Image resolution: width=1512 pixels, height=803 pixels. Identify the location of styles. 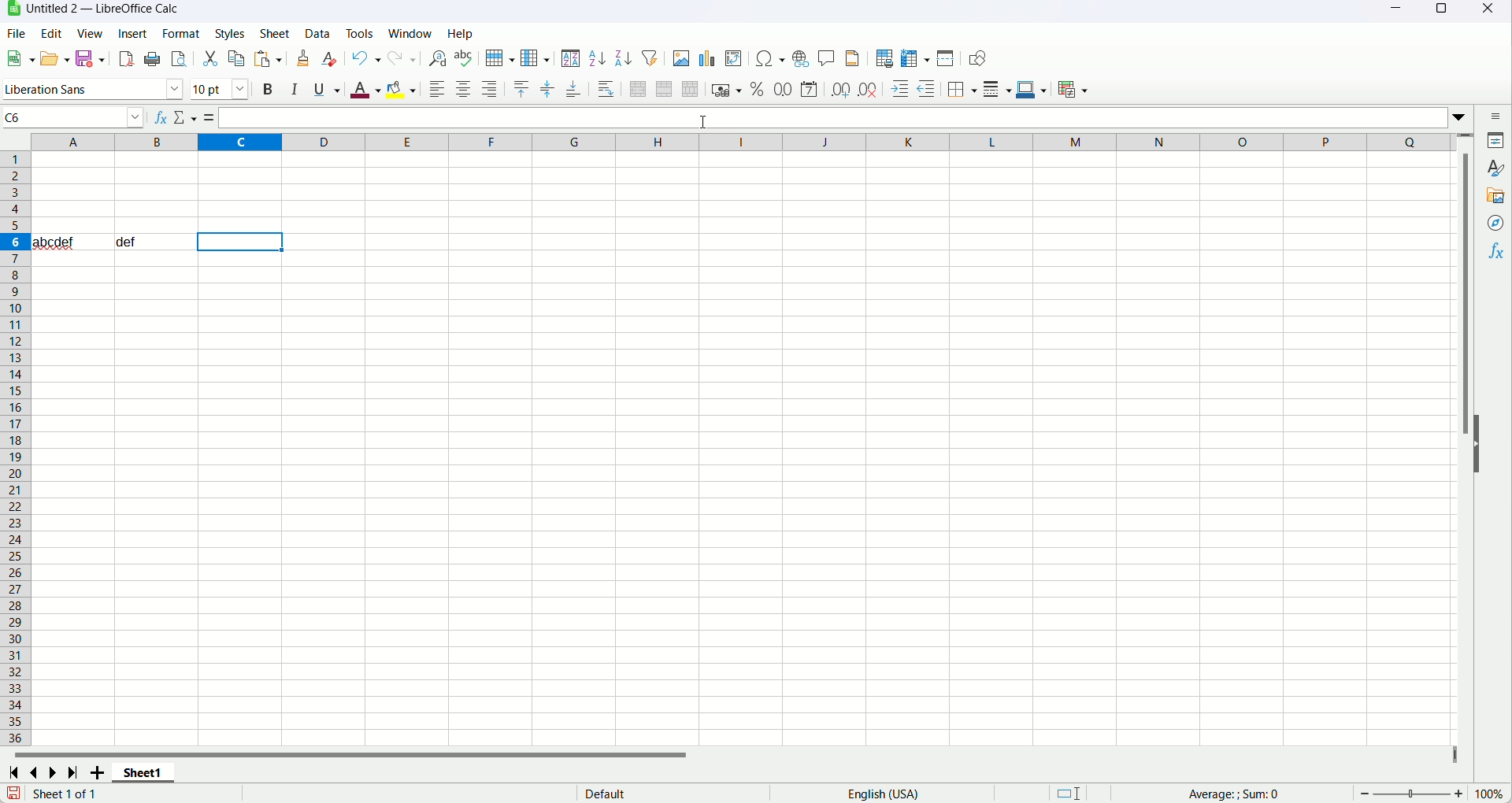
(1497, 170).